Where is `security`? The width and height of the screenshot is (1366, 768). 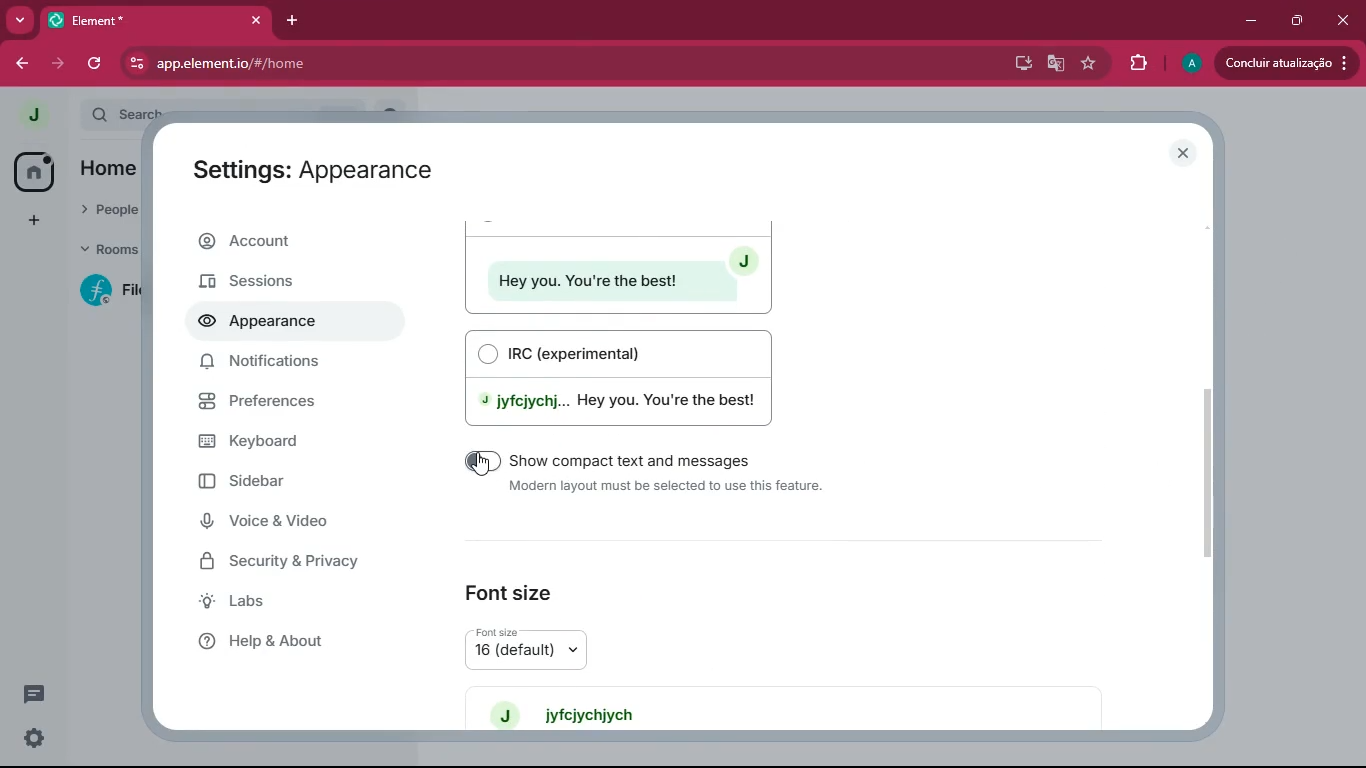
security is located at coordinates (295, 564).